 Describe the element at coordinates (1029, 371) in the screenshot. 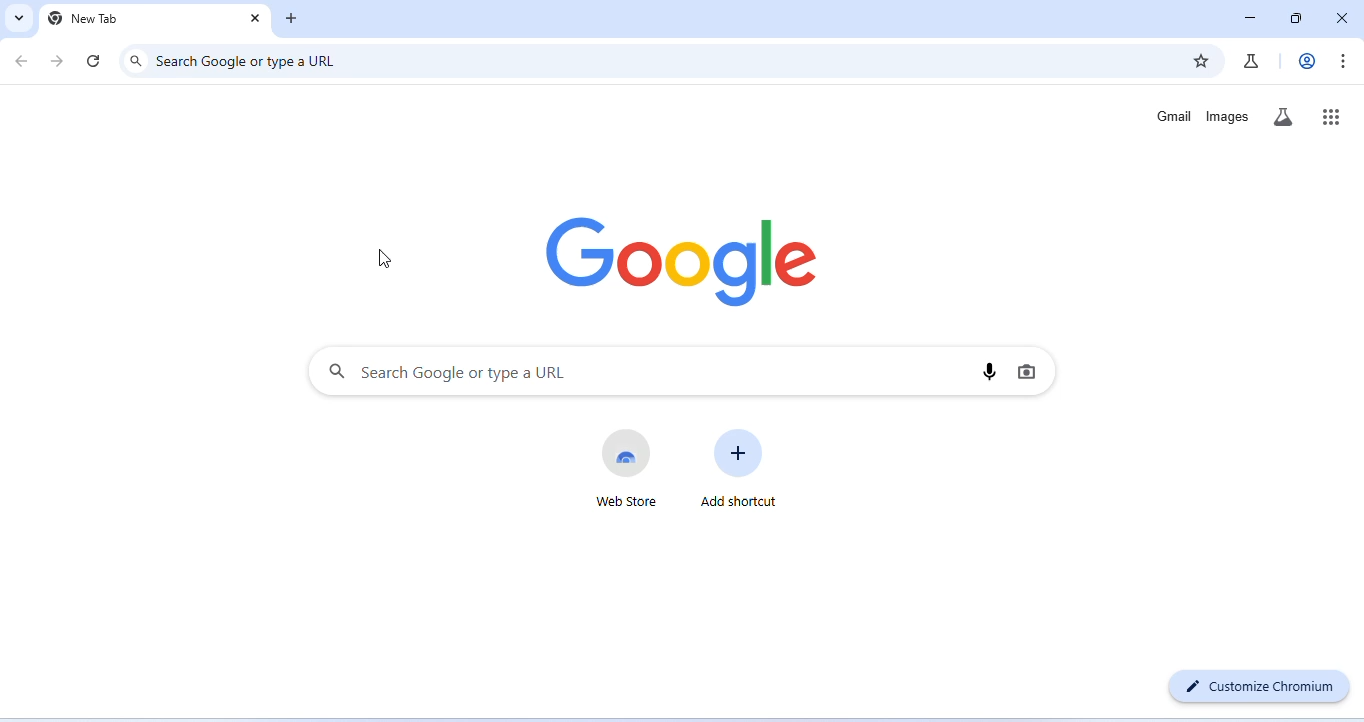

I see `image search` at that location.